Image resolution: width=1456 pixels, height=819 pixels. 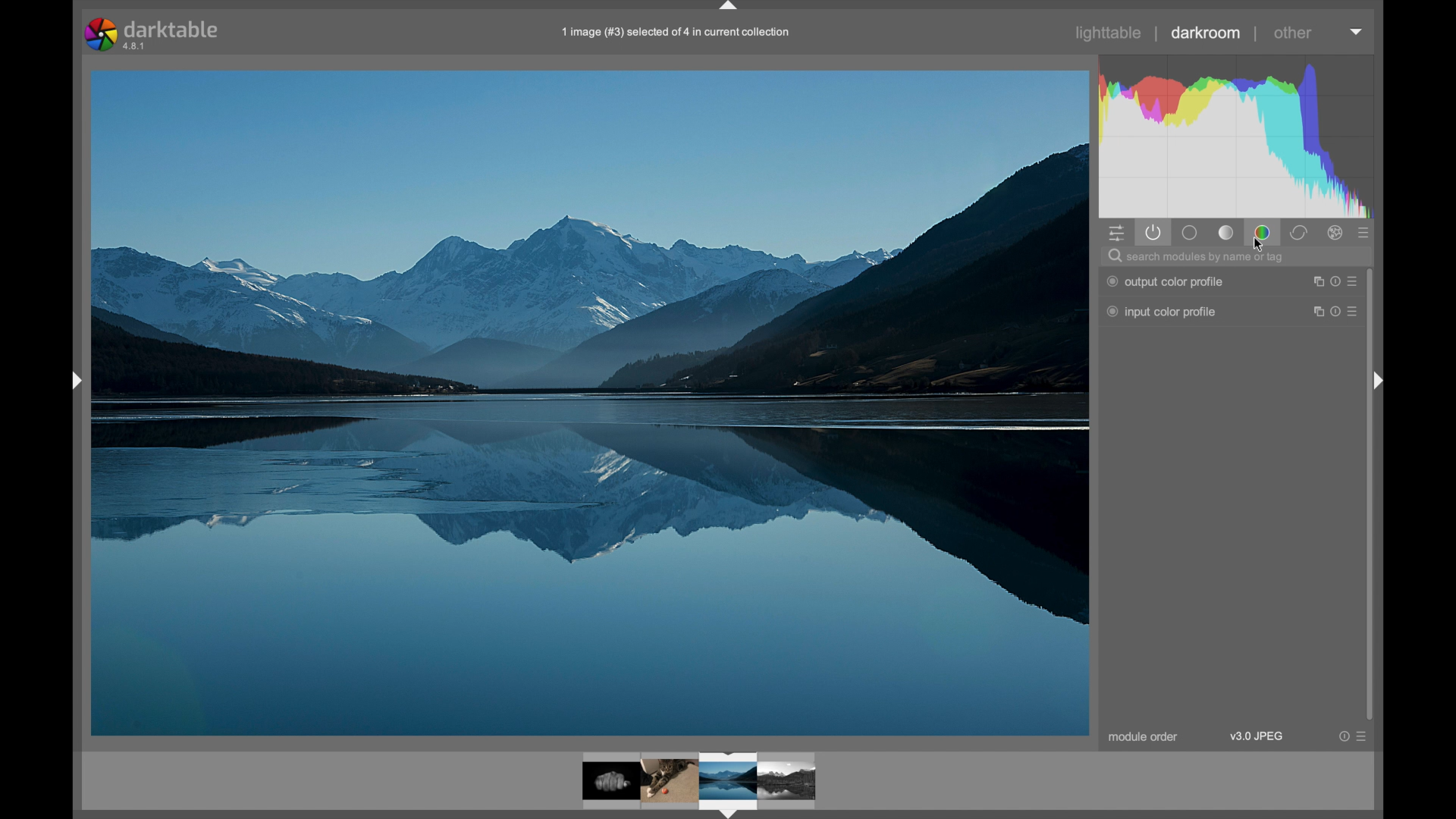 I want to click on more options, so click(x=1356, y=736).